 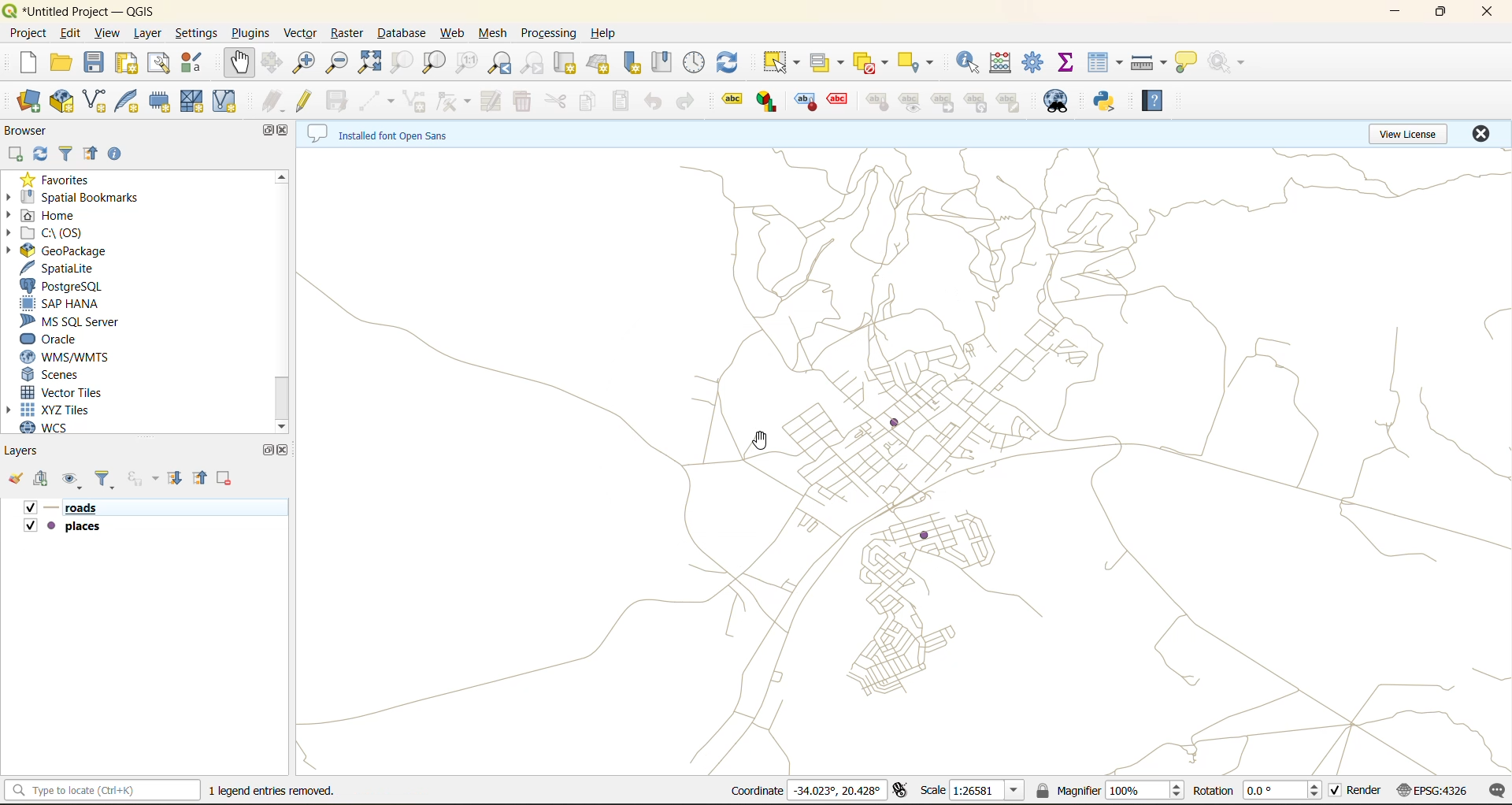 What do you see at coordinates (64, 102) in the screenshot?
I see `new geopackage` at bounding box center [64, 102].